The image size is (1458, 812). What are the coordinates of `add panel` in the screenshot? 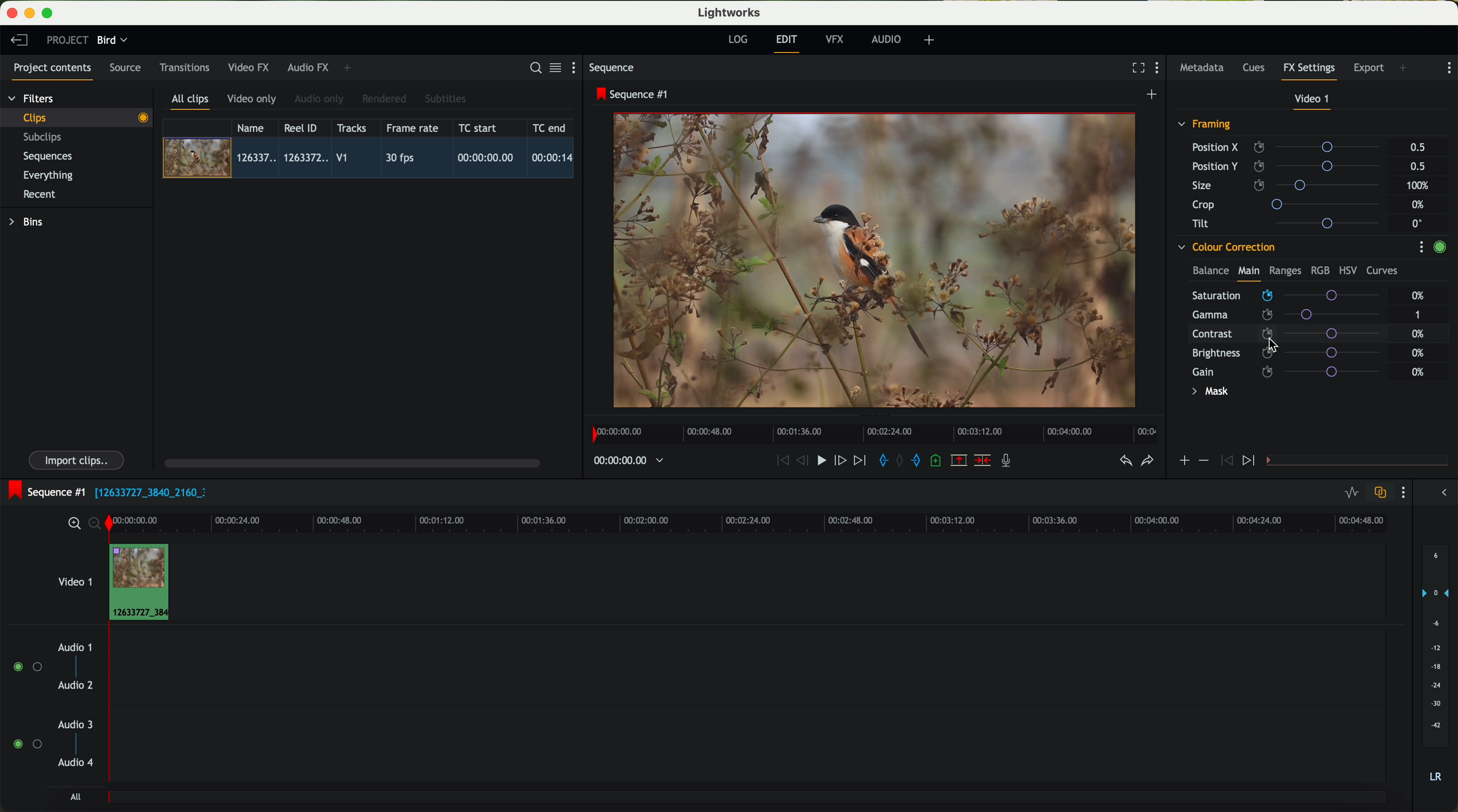 It's located at (1406, 69).